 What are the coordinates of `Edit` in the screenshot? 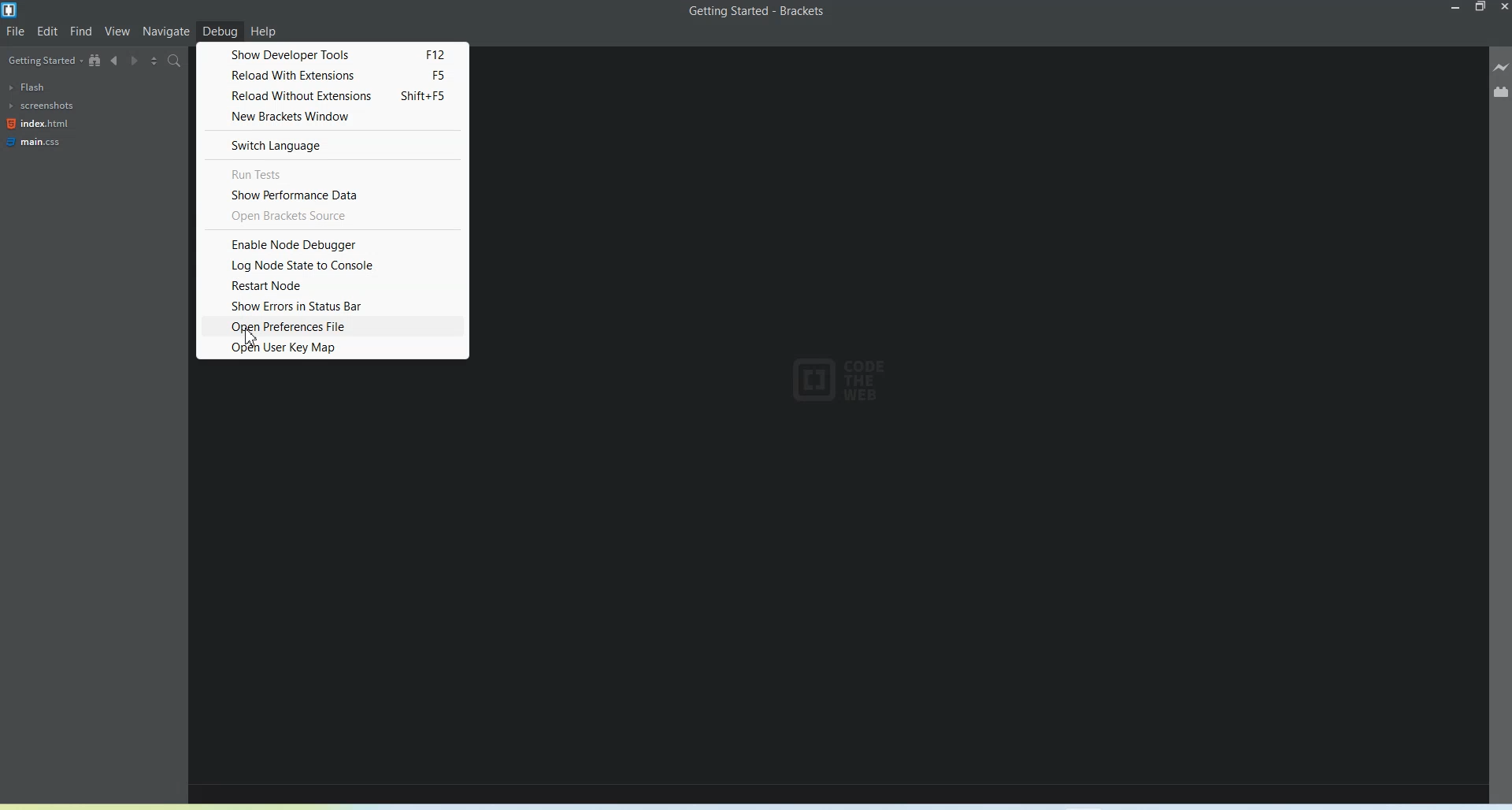 It's located at (49, 30).